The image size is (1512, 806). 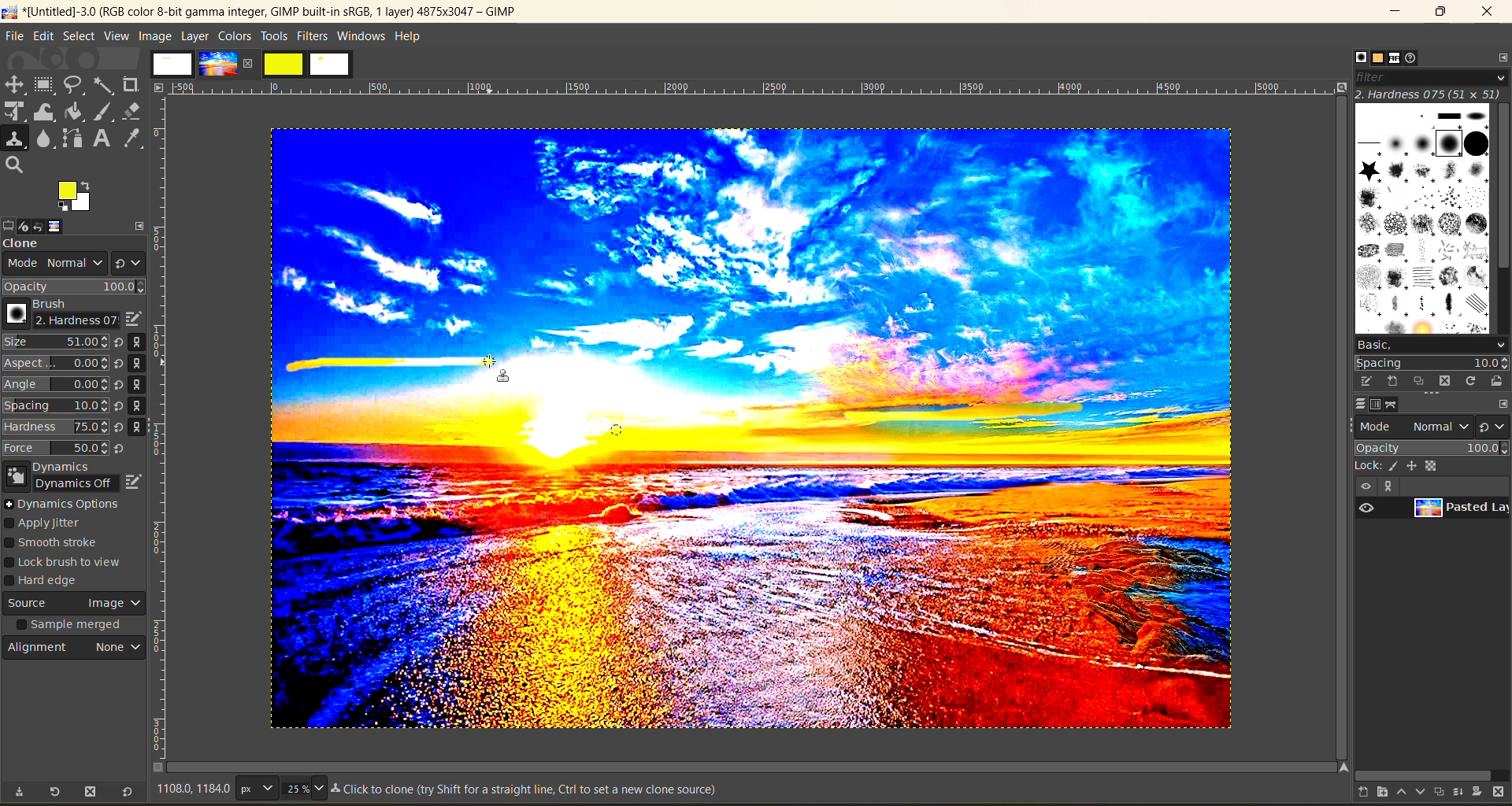 What do you see at coordinates (1392, 382) in the screenshot?
I see `create a new brush` at bounding box center [1392, 382].